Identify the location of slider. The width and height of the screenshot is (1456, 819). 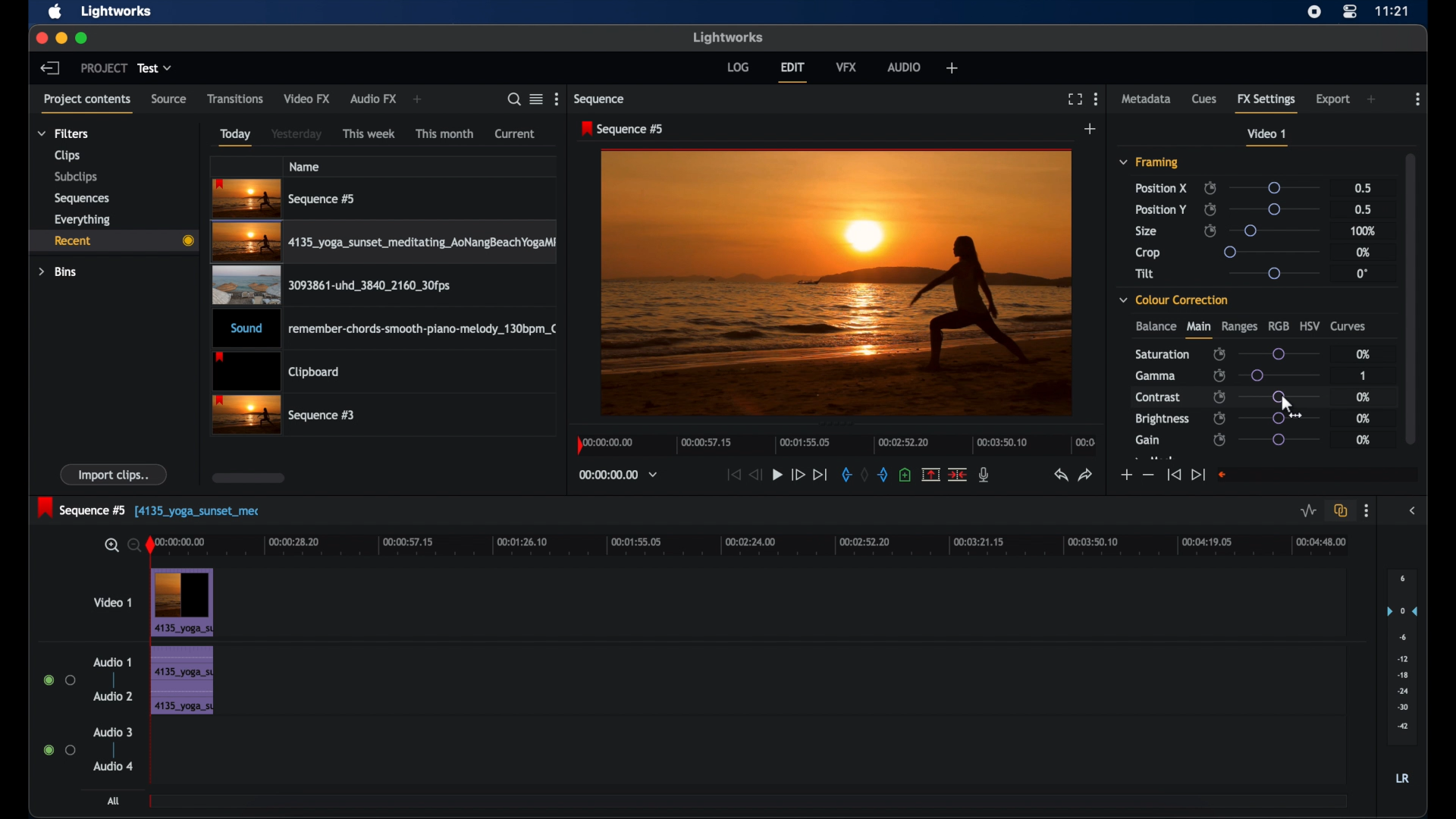
(1273, 188).